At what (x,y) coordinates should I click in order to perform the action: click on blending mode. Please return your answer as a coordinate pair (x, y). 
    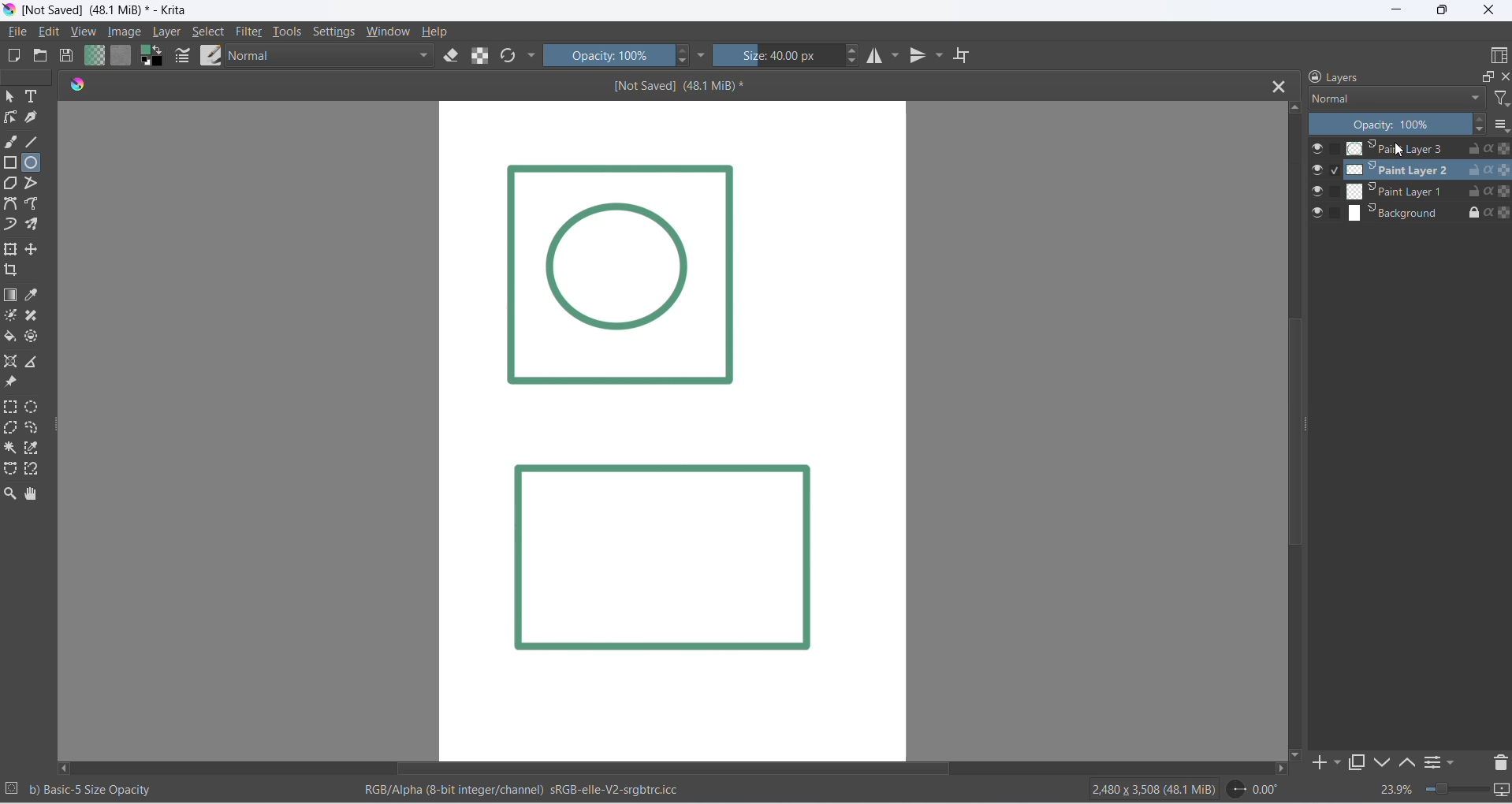
    Looking at the image, I should click on (329, 57).